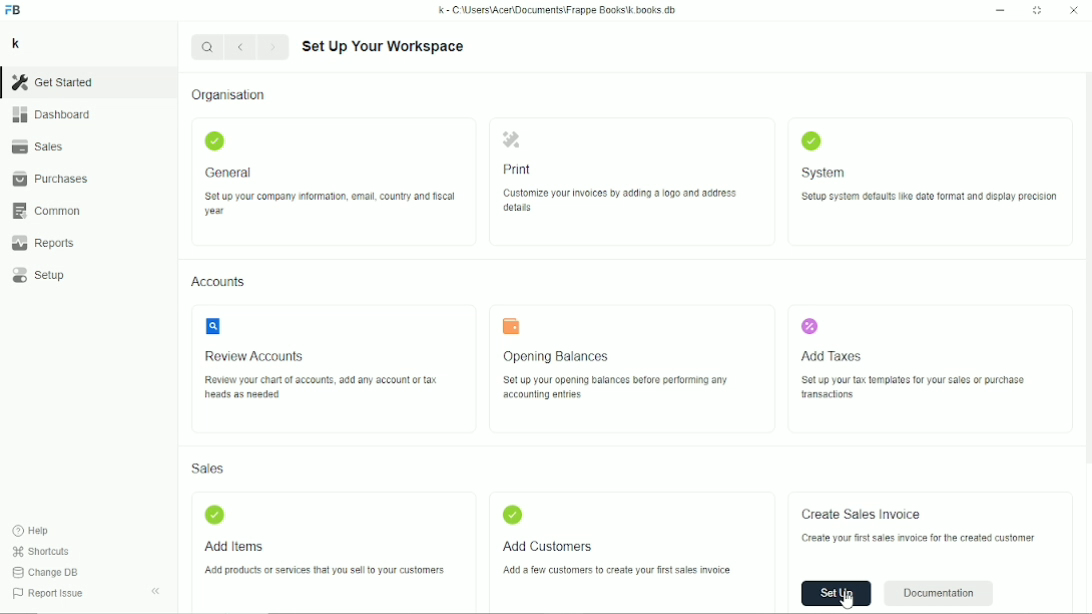  I want to click on Add customers  add a few customers to create your first sales invoice., so click(612, 546).